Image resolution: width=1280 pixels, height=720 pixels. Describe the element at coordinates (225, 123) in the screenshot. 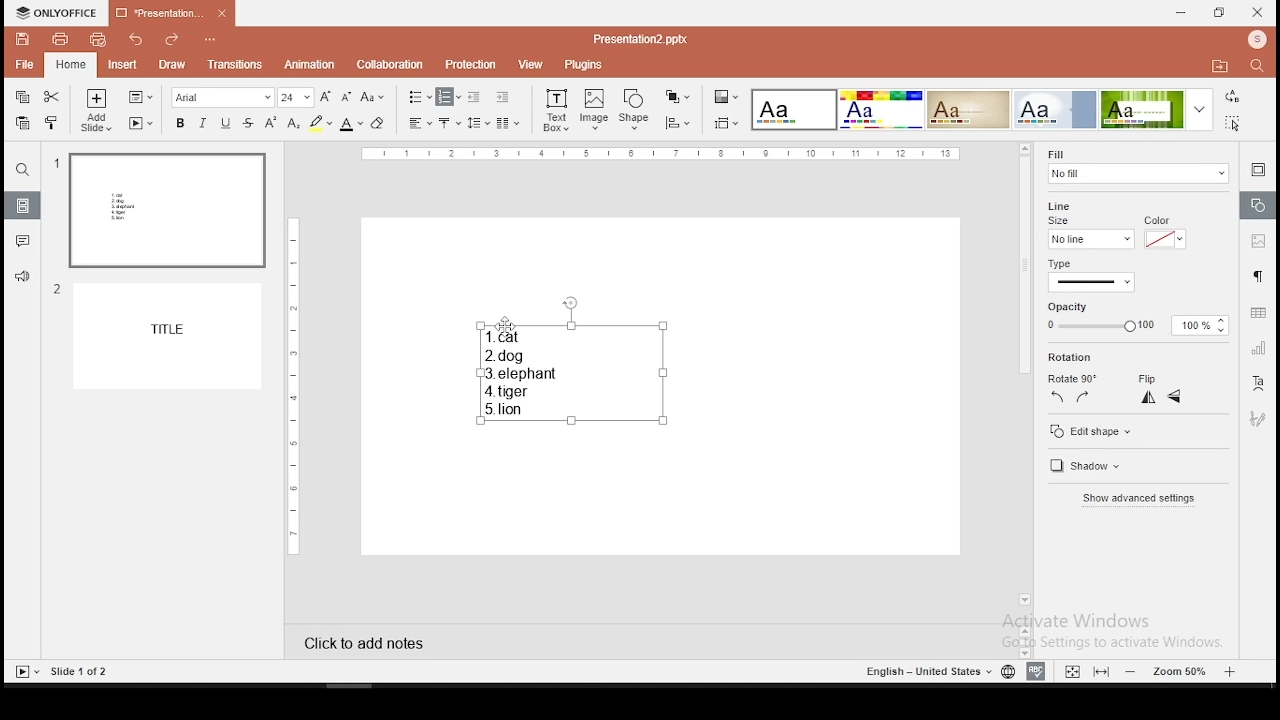

I see `underline` at that location.